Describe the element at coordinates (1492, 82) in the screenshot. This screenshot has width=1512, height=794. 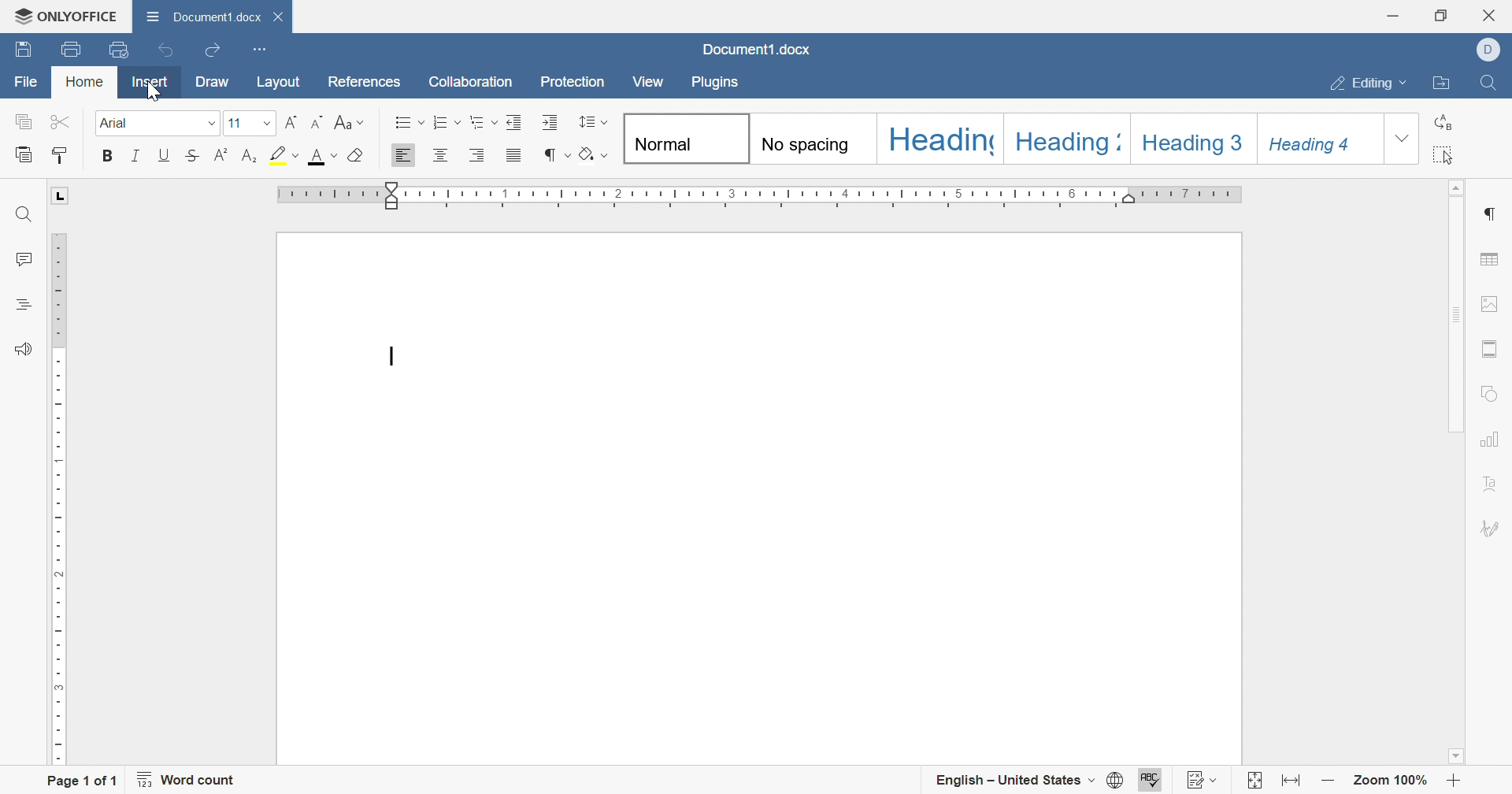
I see `Find` at that location.